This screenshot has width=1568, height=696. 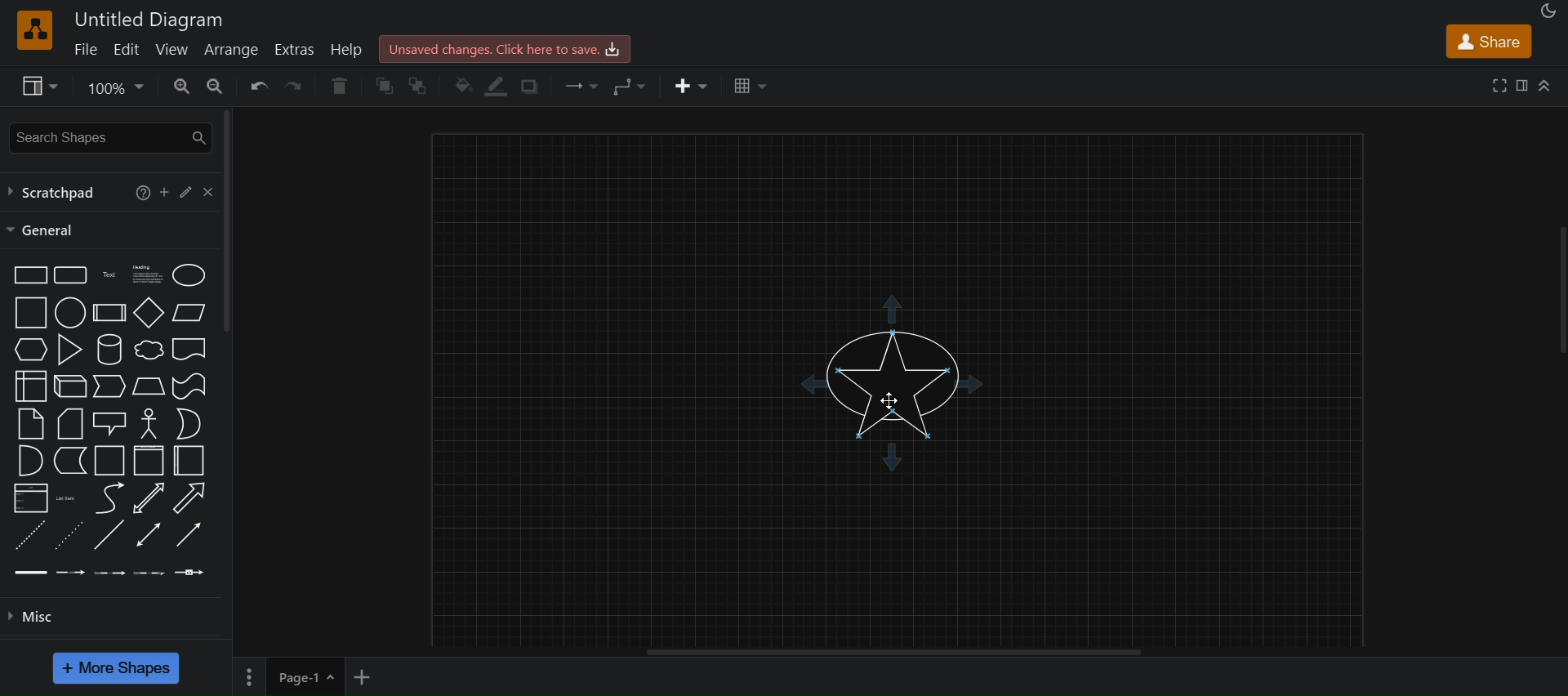 I want to click on triangle, so click(x=69, y=349).